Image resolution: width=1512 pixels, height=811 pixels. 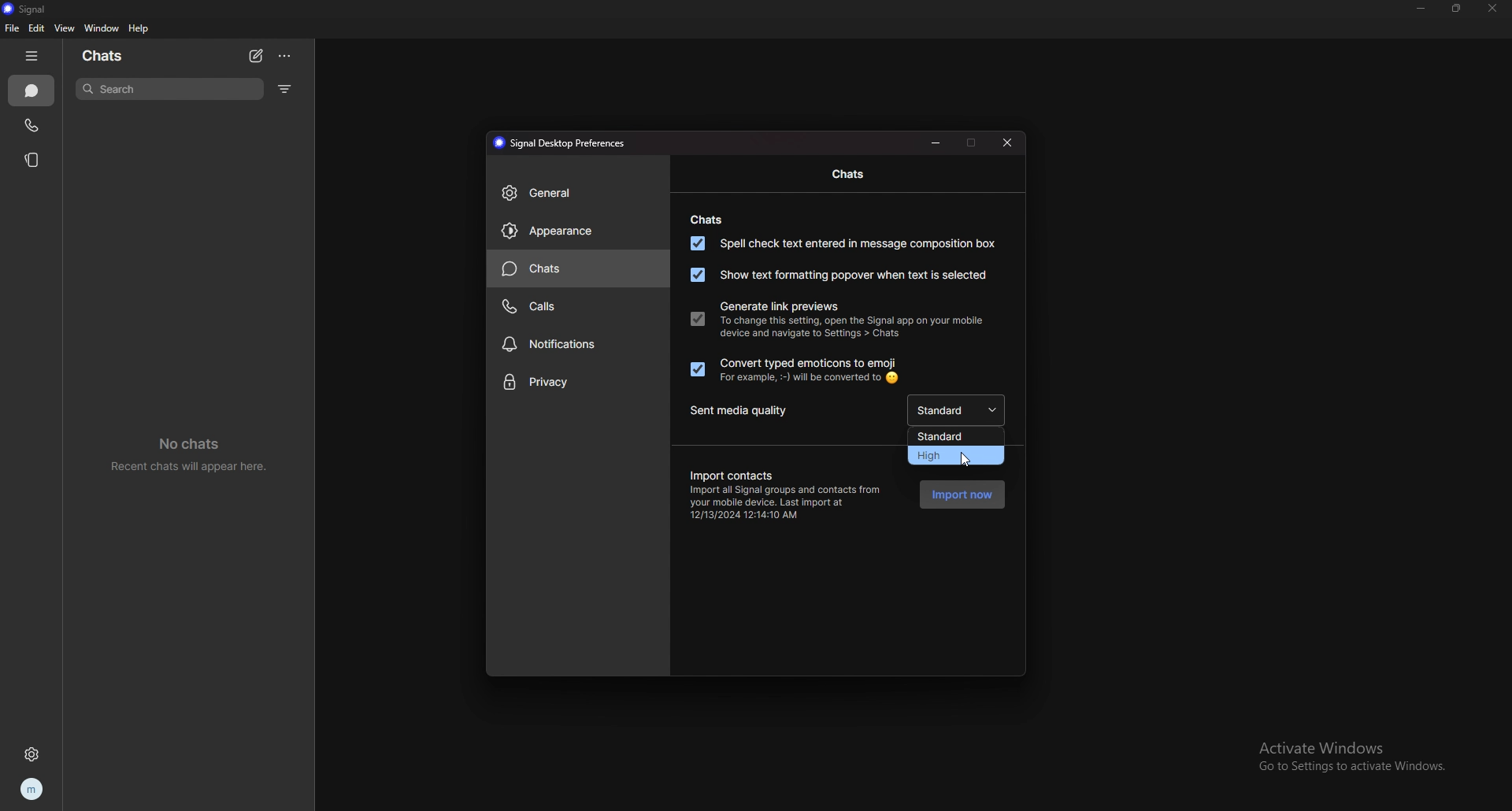 I want to click on signal, so click(x=35, y=9).